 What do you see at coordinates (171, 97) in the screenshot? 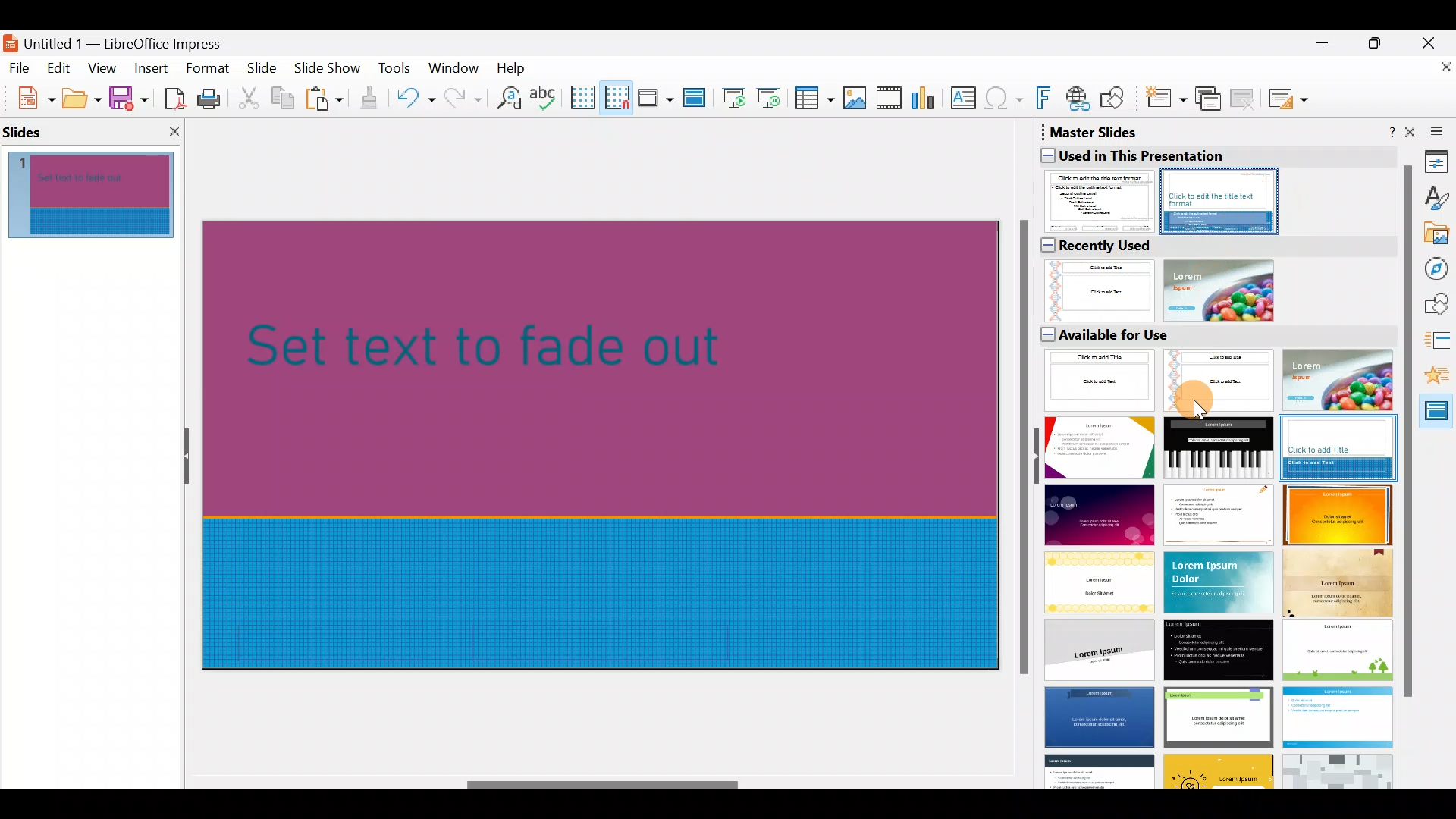
I see `Export directly as PDF` at bounding box center [171, 97].